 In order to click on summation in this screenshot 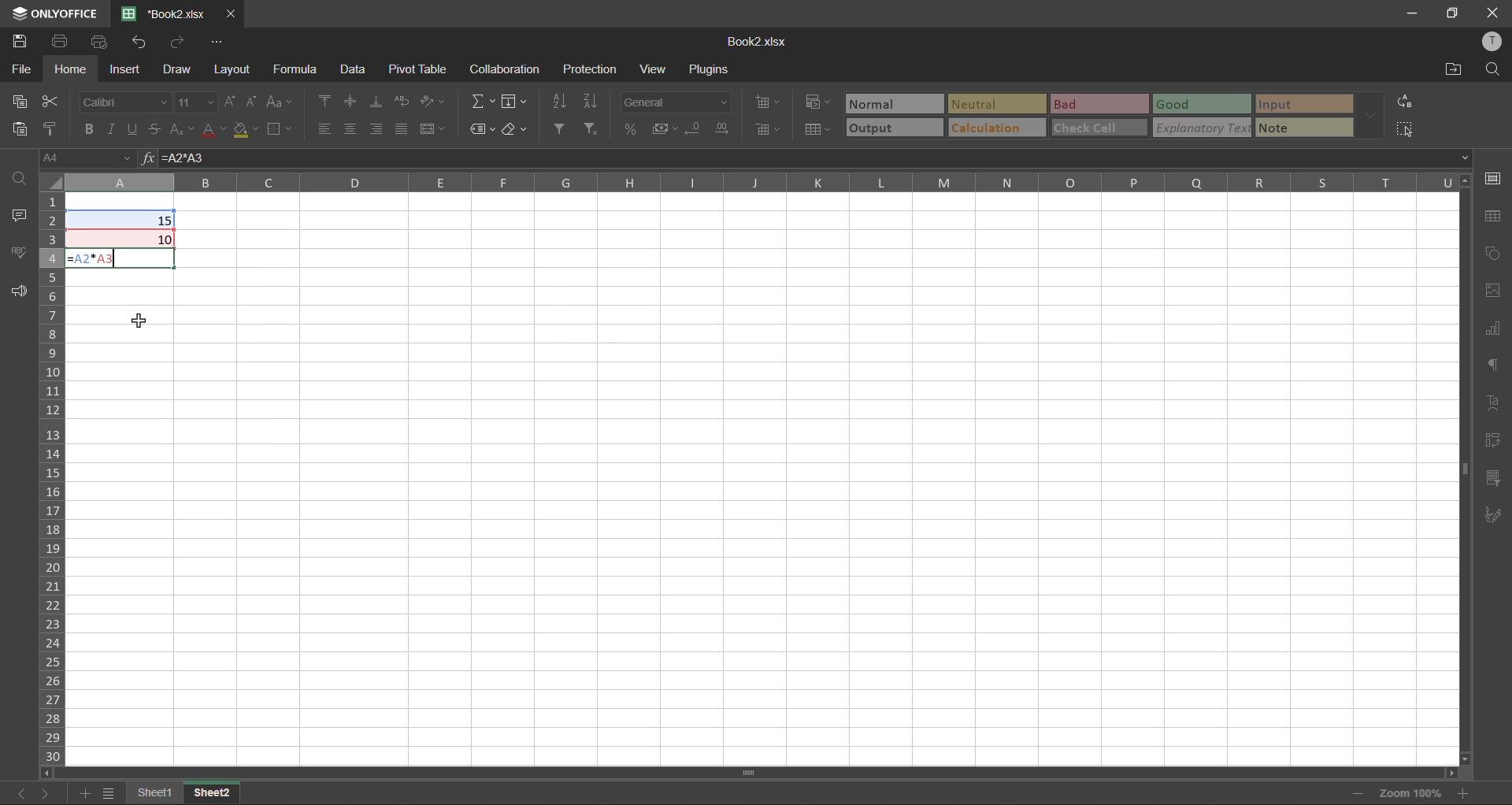, I will do `click(484, 101)`.